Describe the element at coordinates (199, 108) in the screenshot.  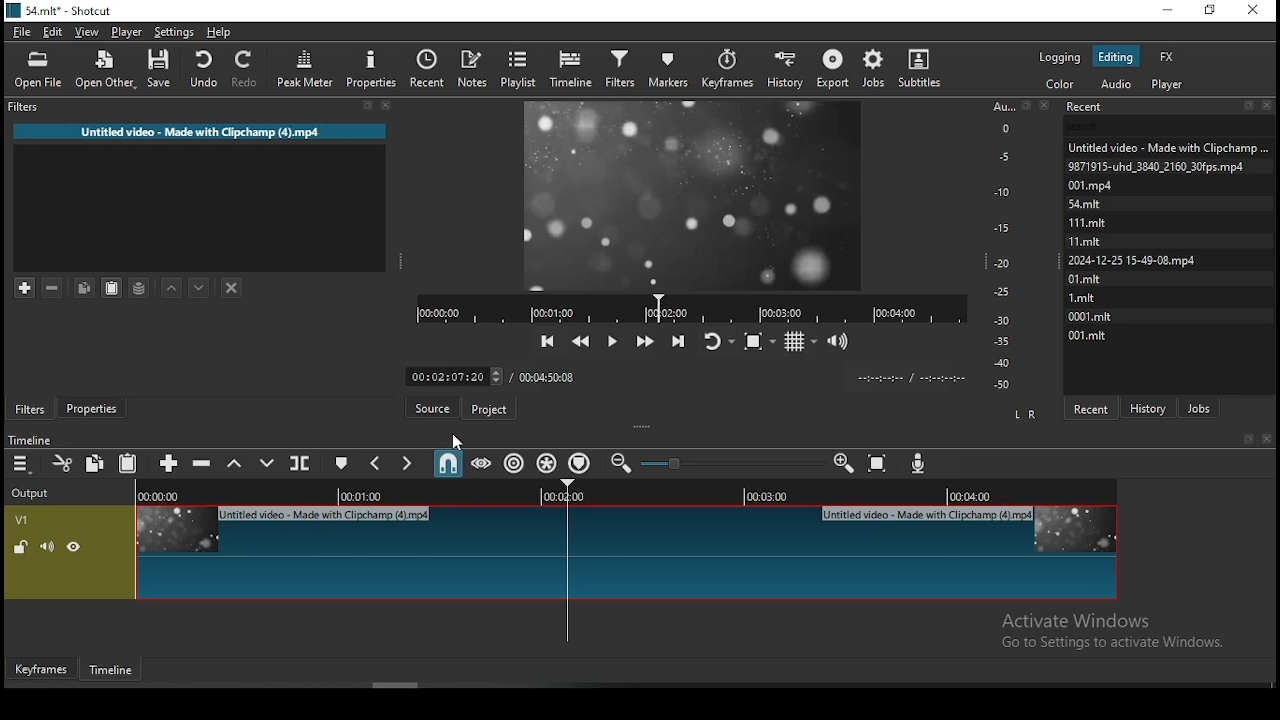
I see `Filter` at that location.